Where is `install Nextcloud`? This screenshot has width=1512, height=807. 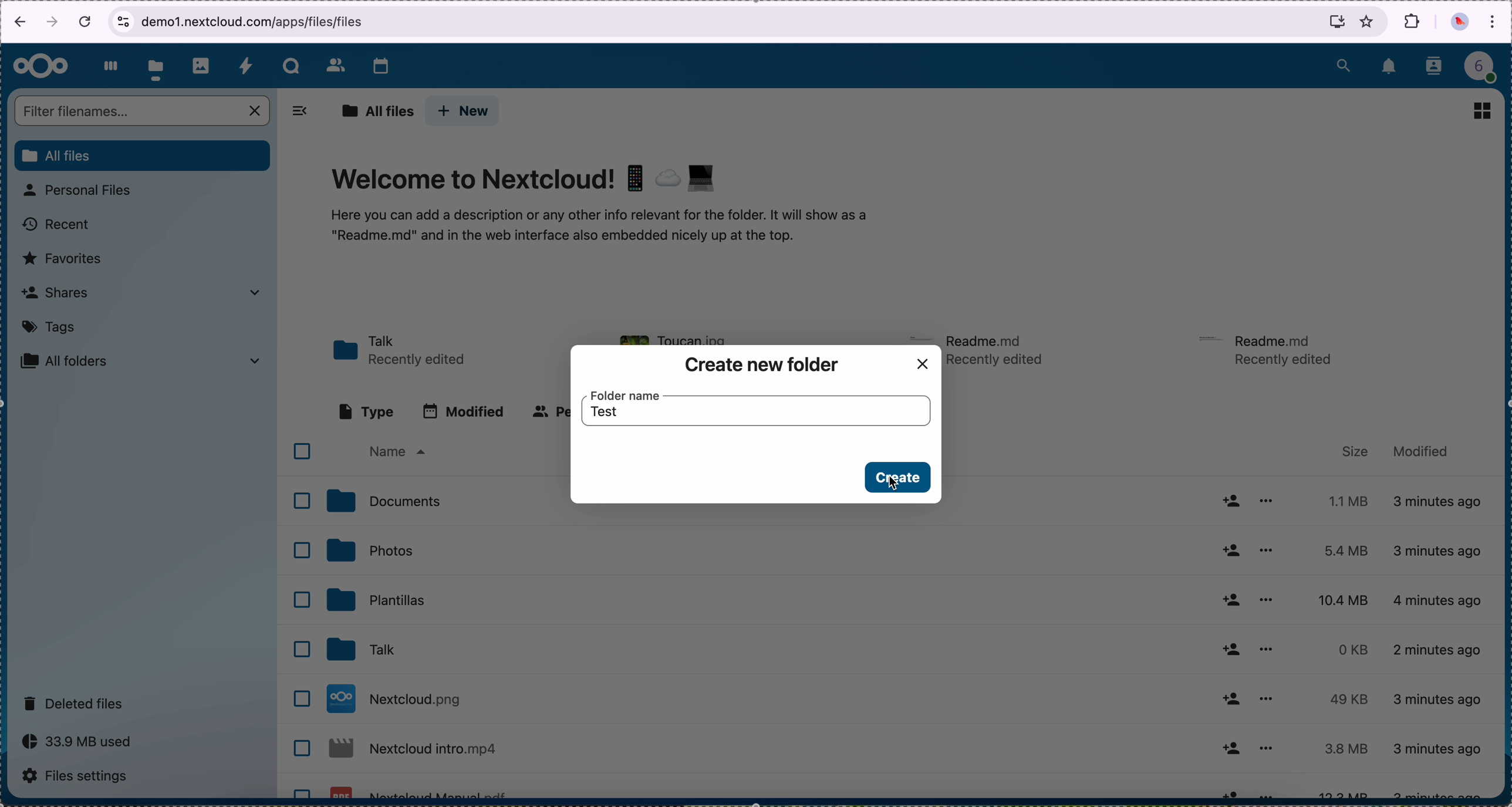 install Nextcloud is located at coordinates (1337, 24).